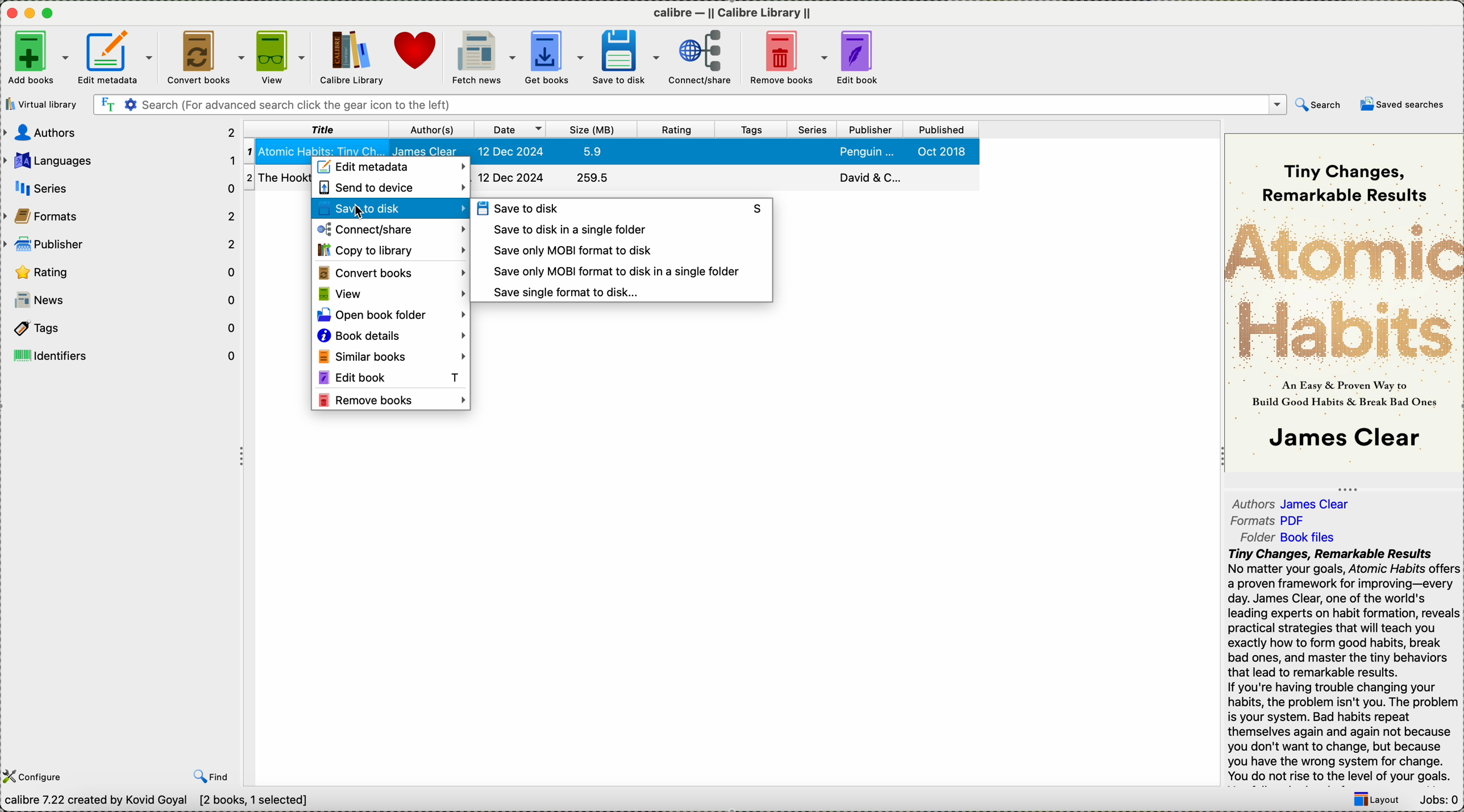  What do you see at coordinates (1295, 504) in the screenshot?
I see `authors` at bounding box center [1295, 504].